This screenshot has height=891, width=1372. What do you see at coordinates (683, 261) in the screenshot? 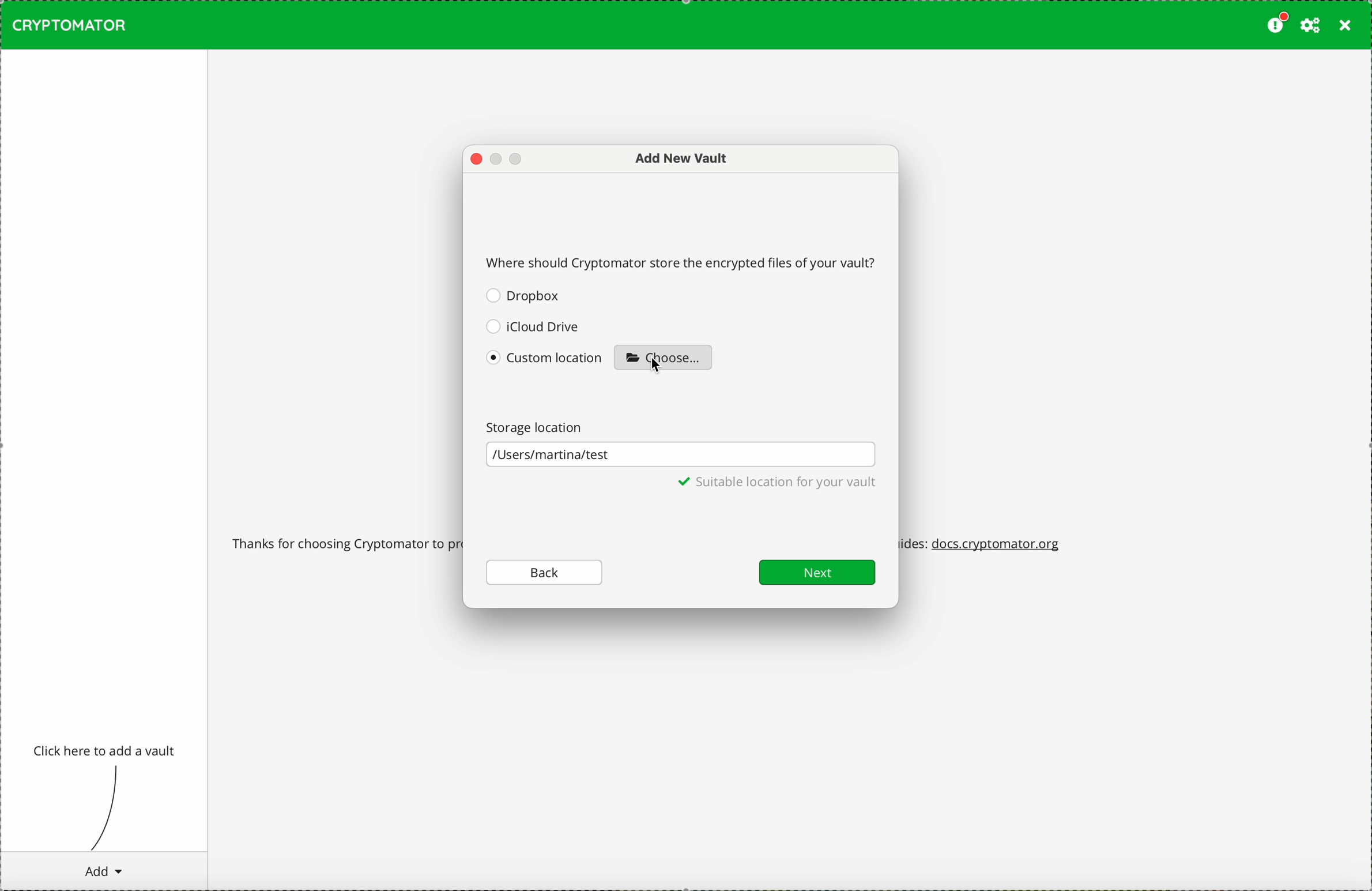
I see `question` at bounding box center [683, 261].